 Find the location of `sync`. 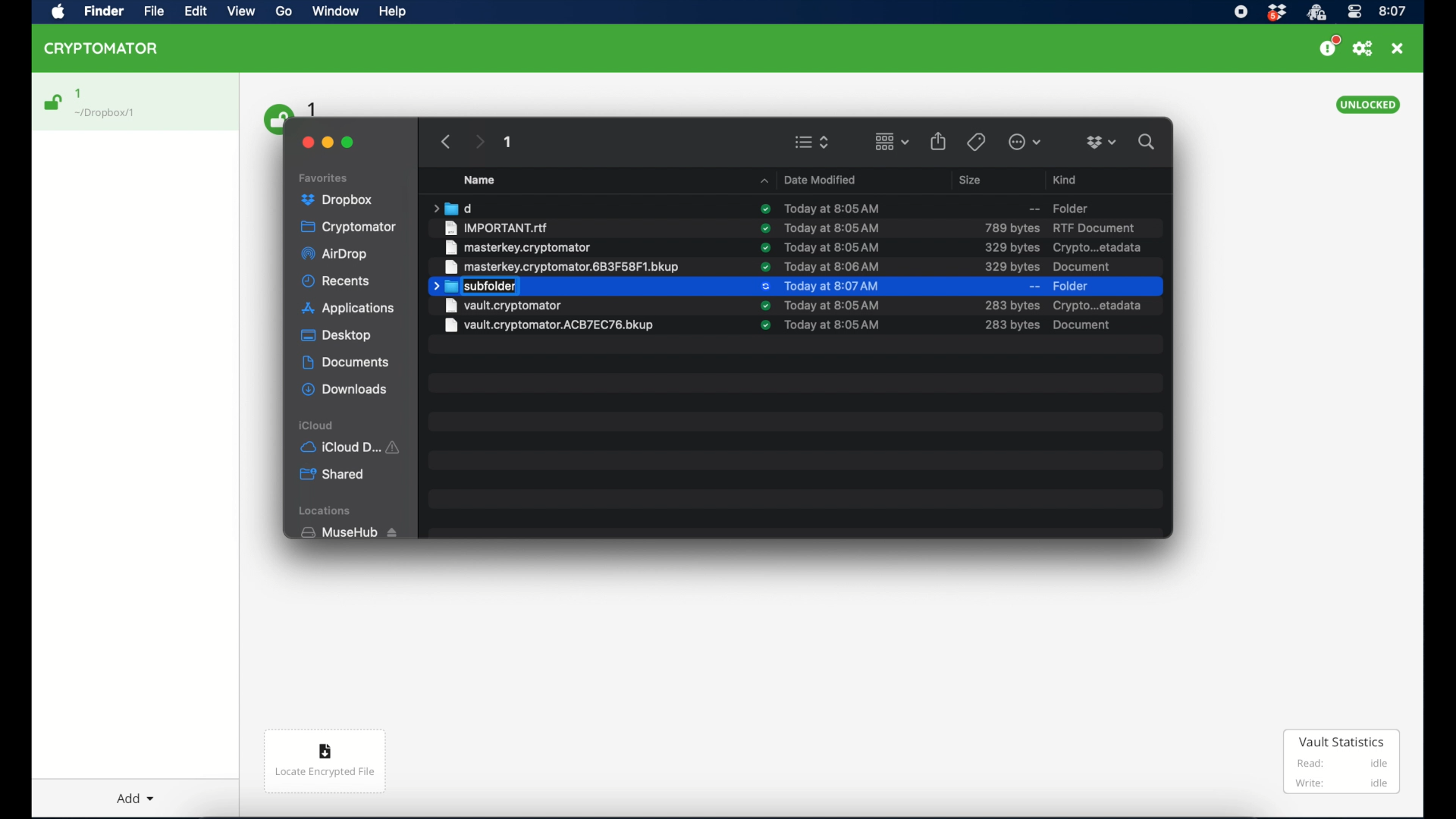

sync is located at coordinates (765, 227).